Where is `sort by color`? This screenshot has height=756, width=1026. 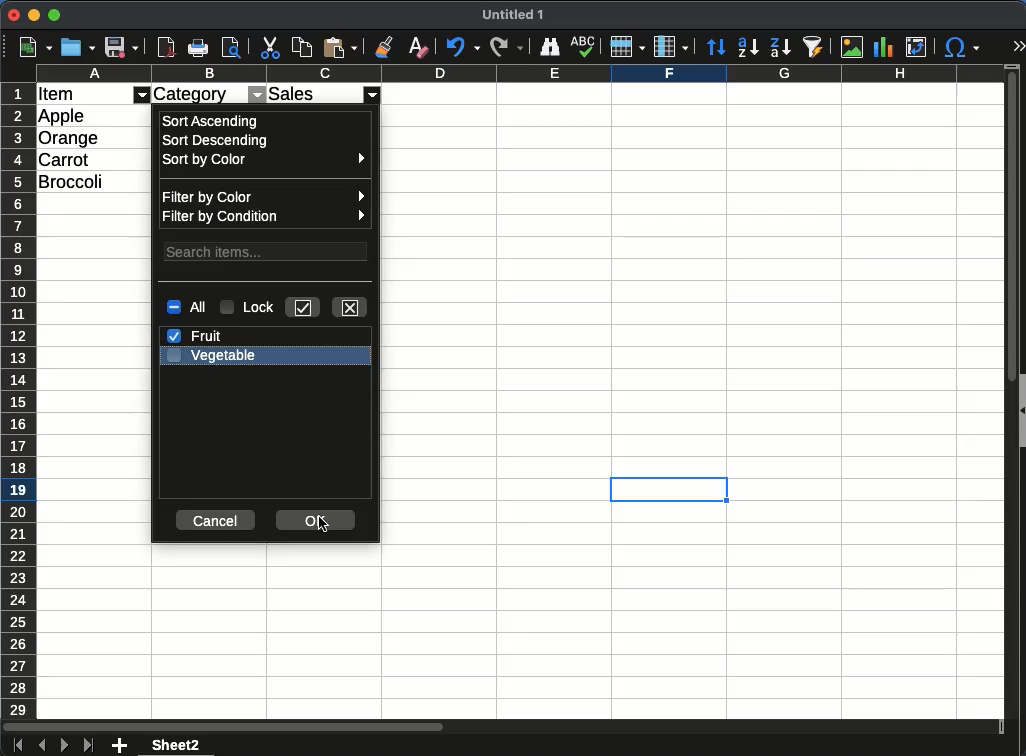
sort by color is located at coordinates (264, 159).